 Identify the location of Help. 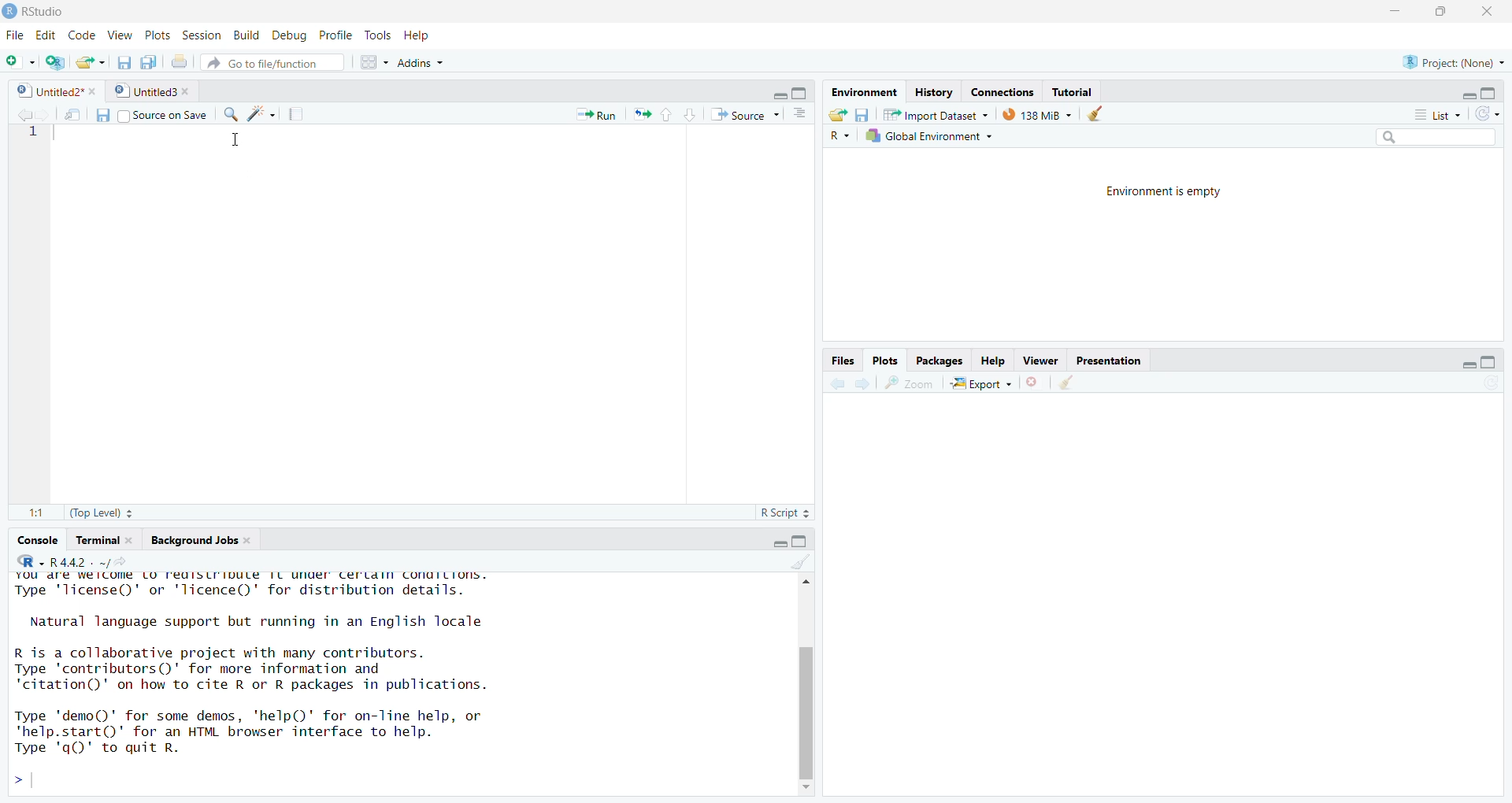
(987, 361).